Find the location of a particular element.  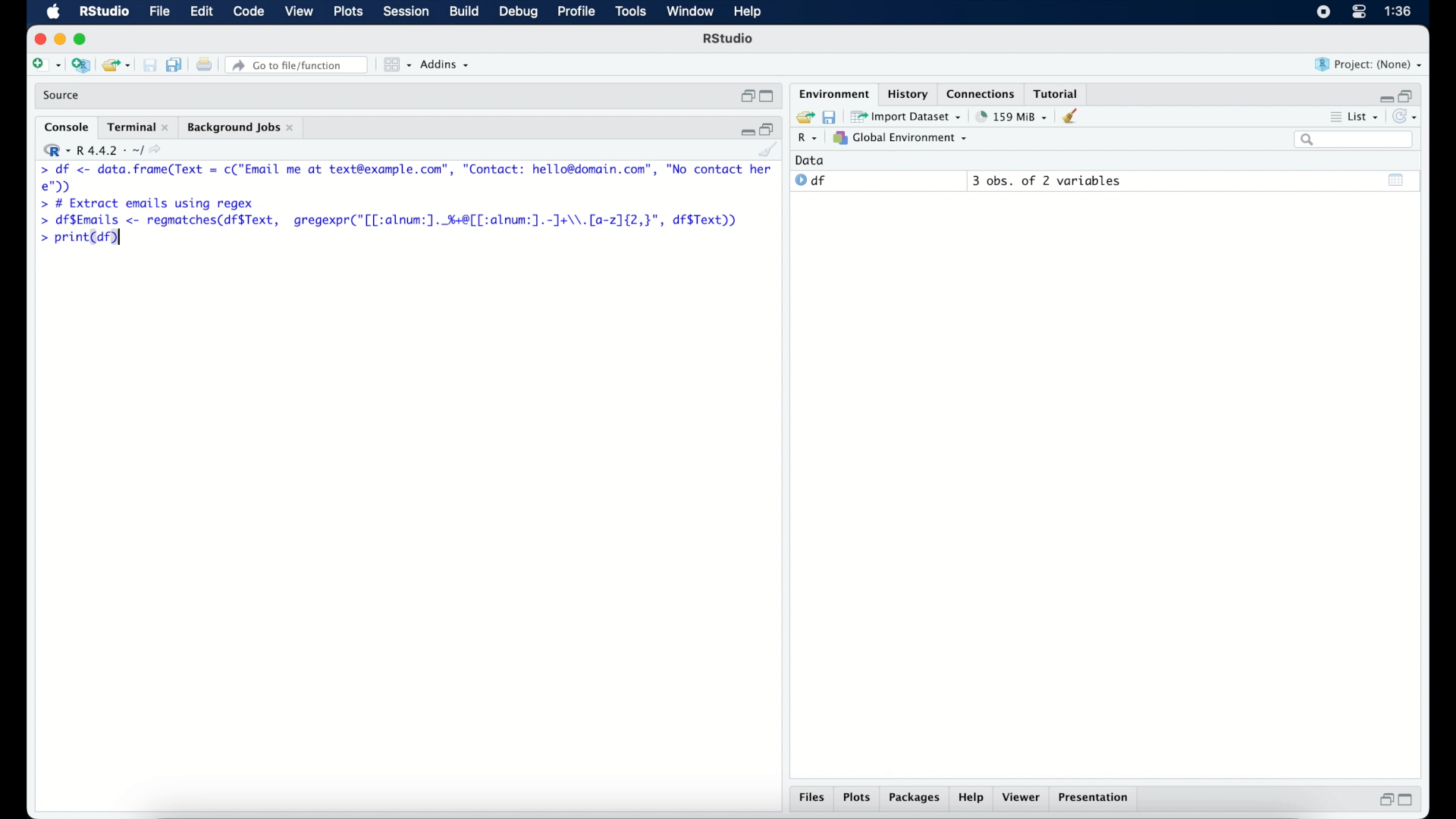

minimize is located at coordinates (745, 132).